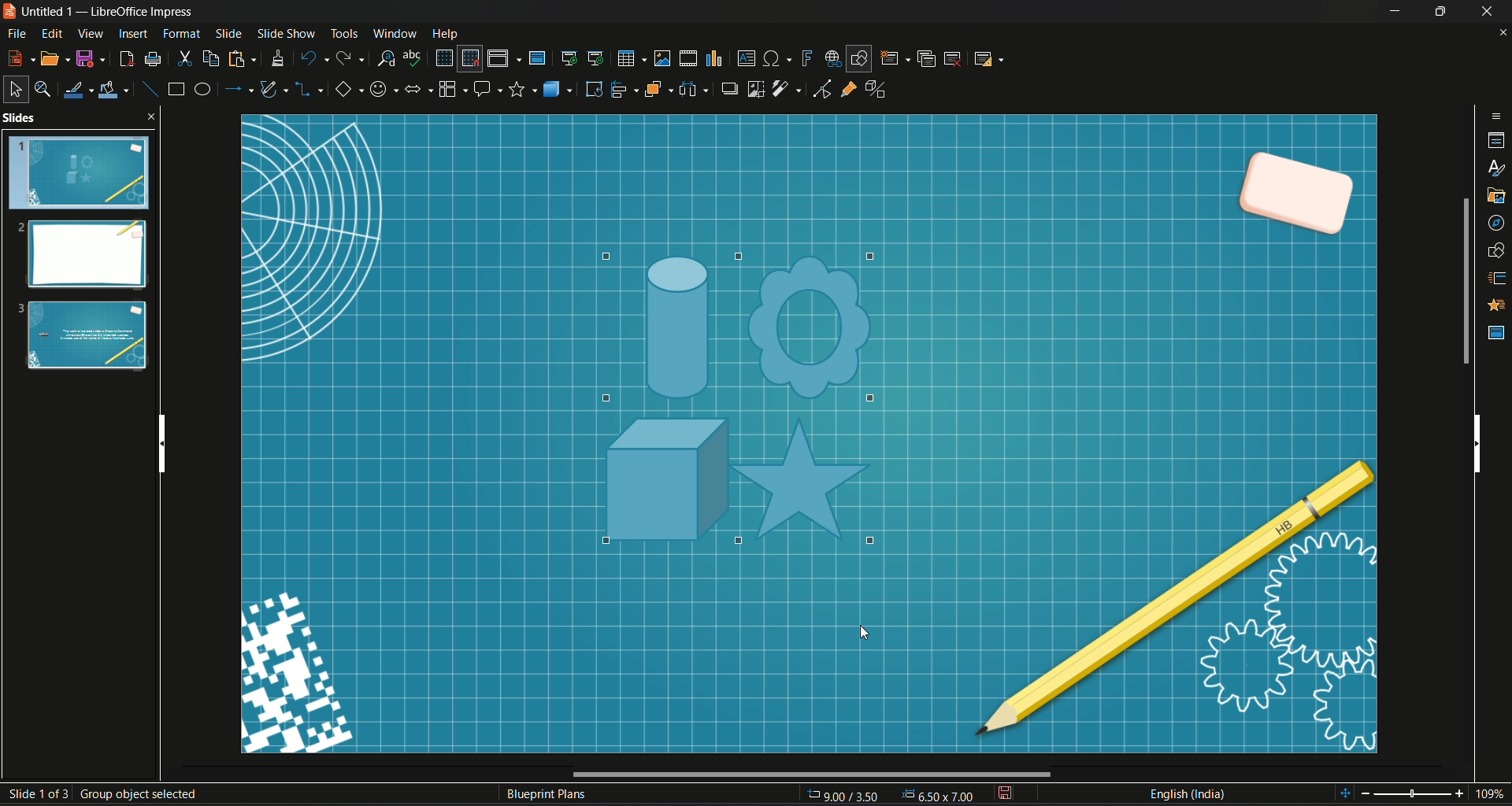 The width and height of the screenshot is (1512, 806). I want to click on display views, so click(504, 58).